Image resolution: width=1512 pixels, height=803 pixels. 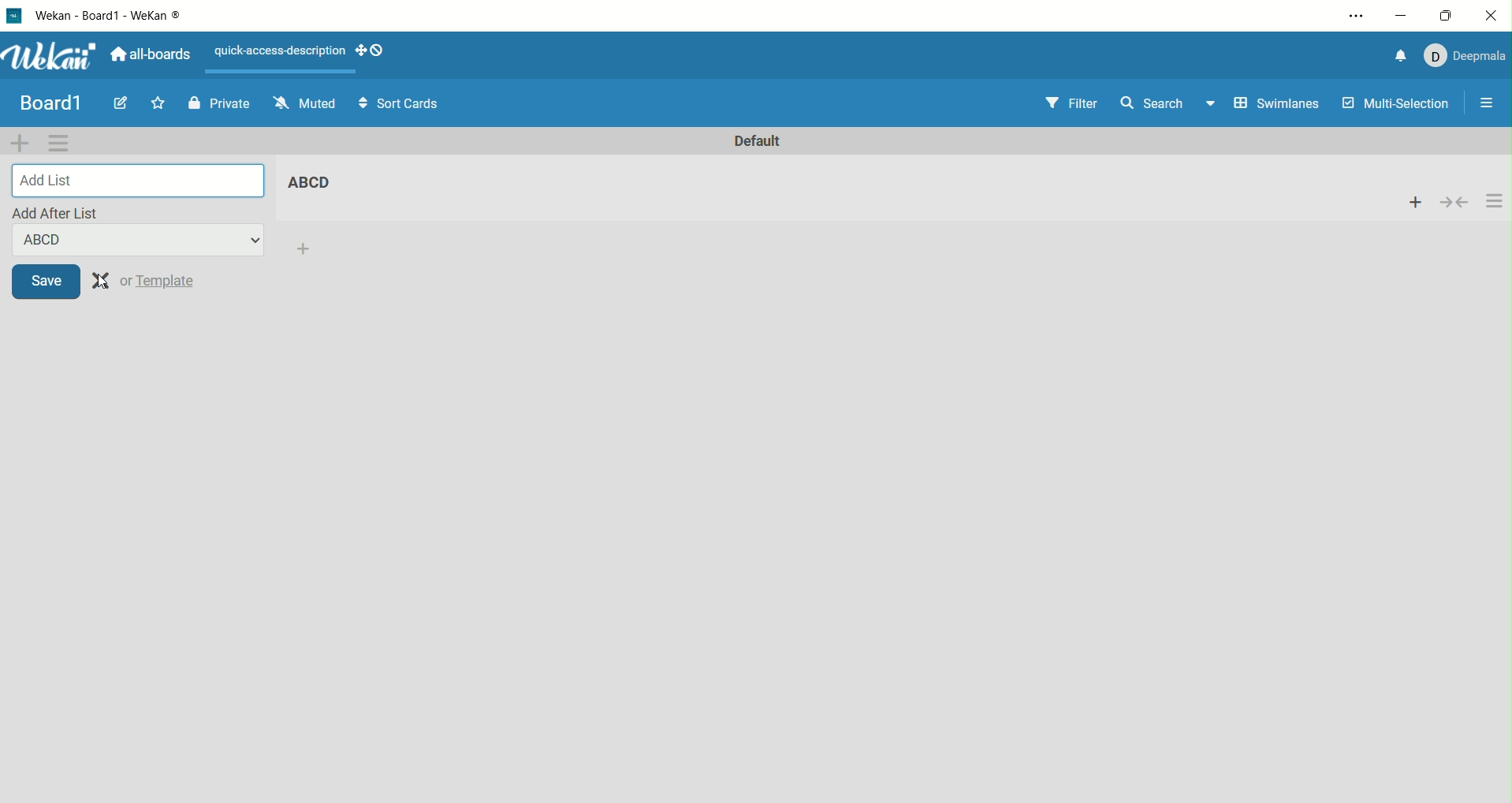 I want to click on add card, so click(x=1410, y=200).